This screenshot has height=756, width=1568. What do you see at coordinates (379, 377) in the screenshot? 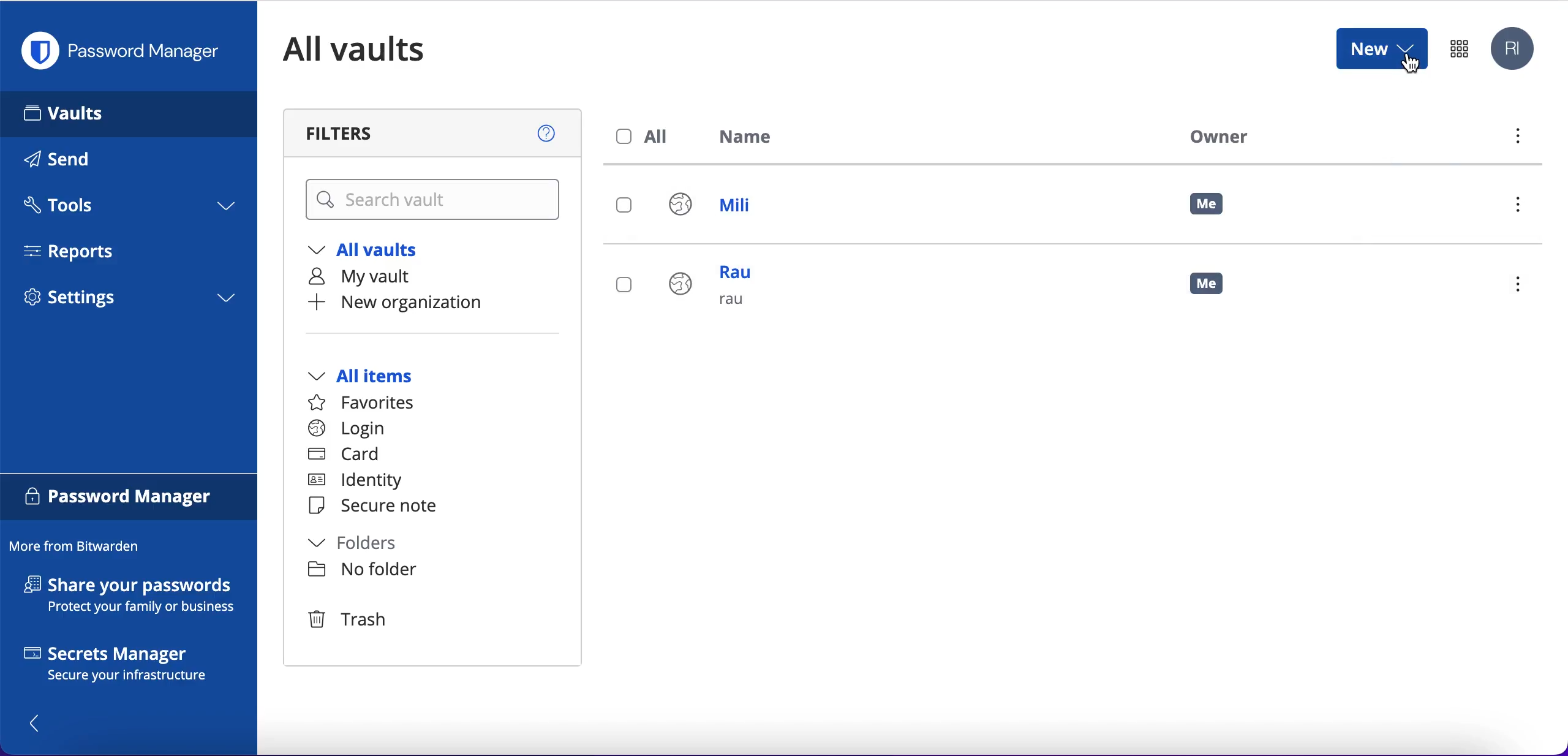
I see `all items` at bounding box center [379, 377].